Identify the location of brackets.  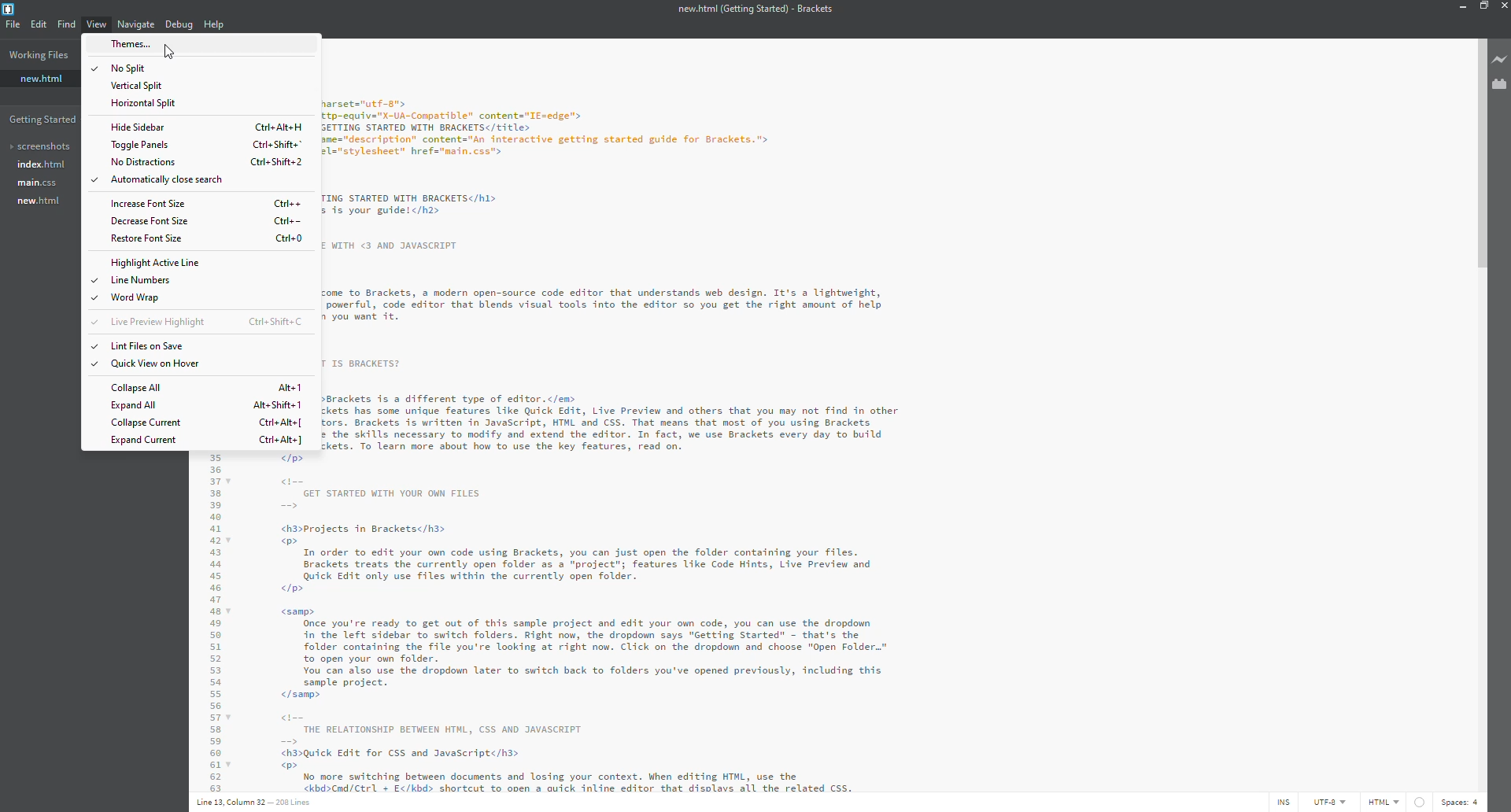
(12, 9).